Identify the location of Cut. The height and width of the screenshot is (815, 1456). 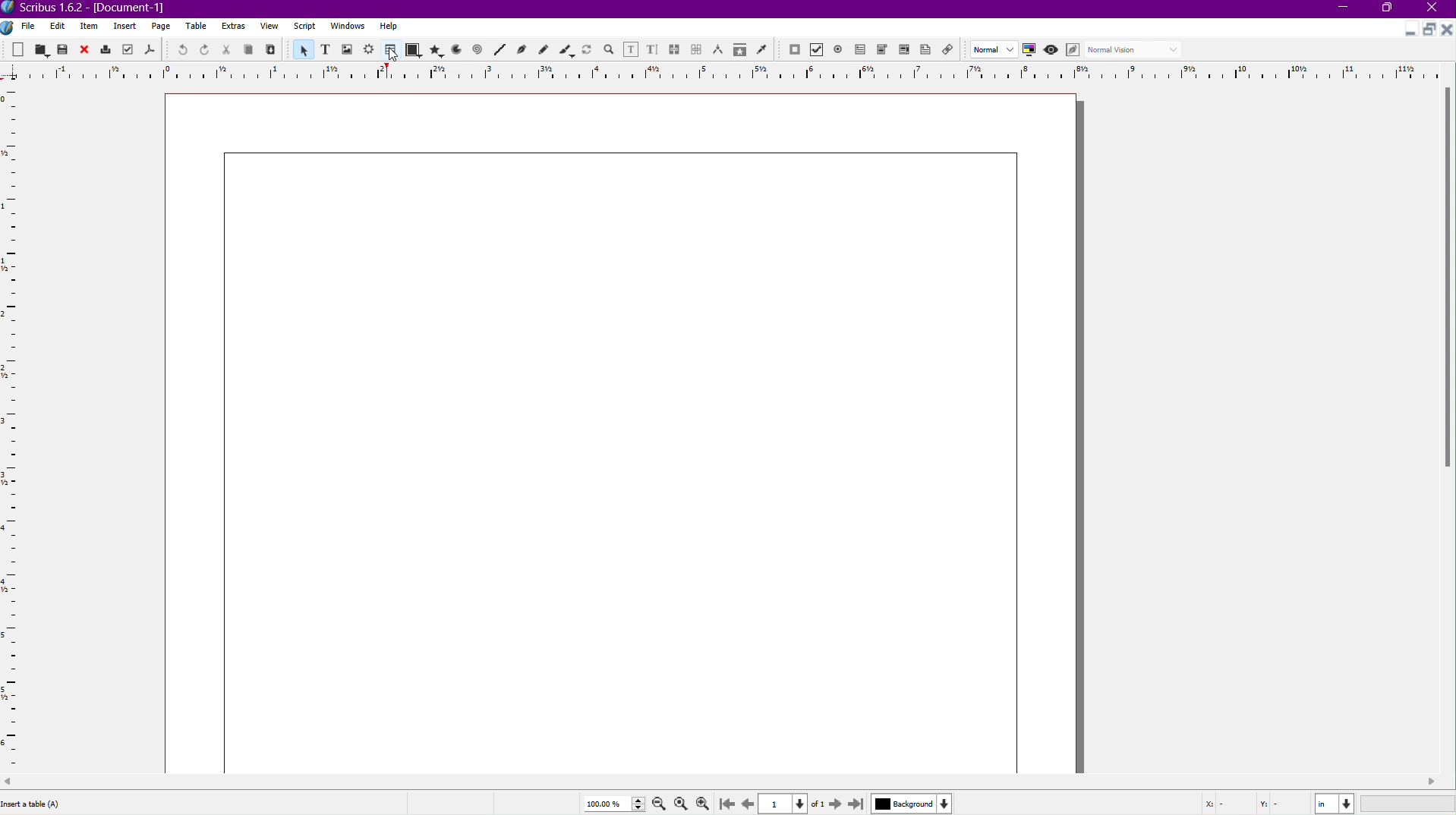
(227, 49).